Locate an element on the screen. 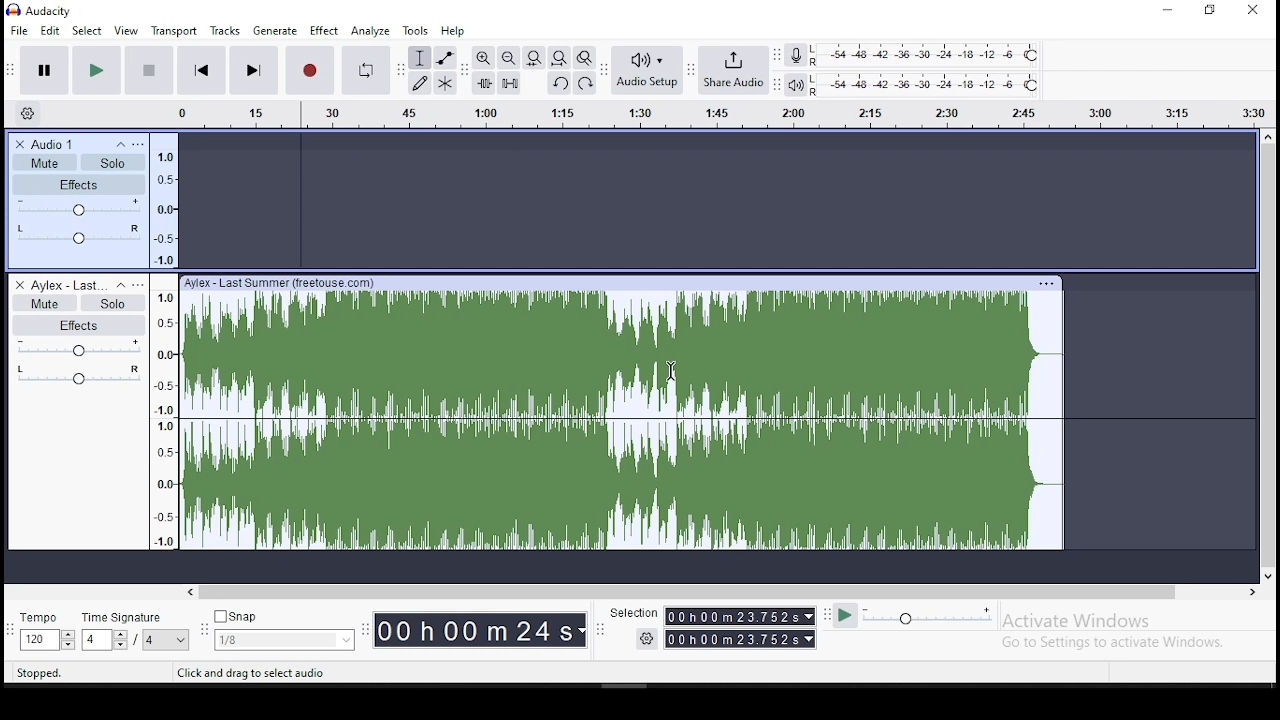 Image resolution: width=1280 pixels, height=720 pixels. stop recording is located at coordinates (308, 70).